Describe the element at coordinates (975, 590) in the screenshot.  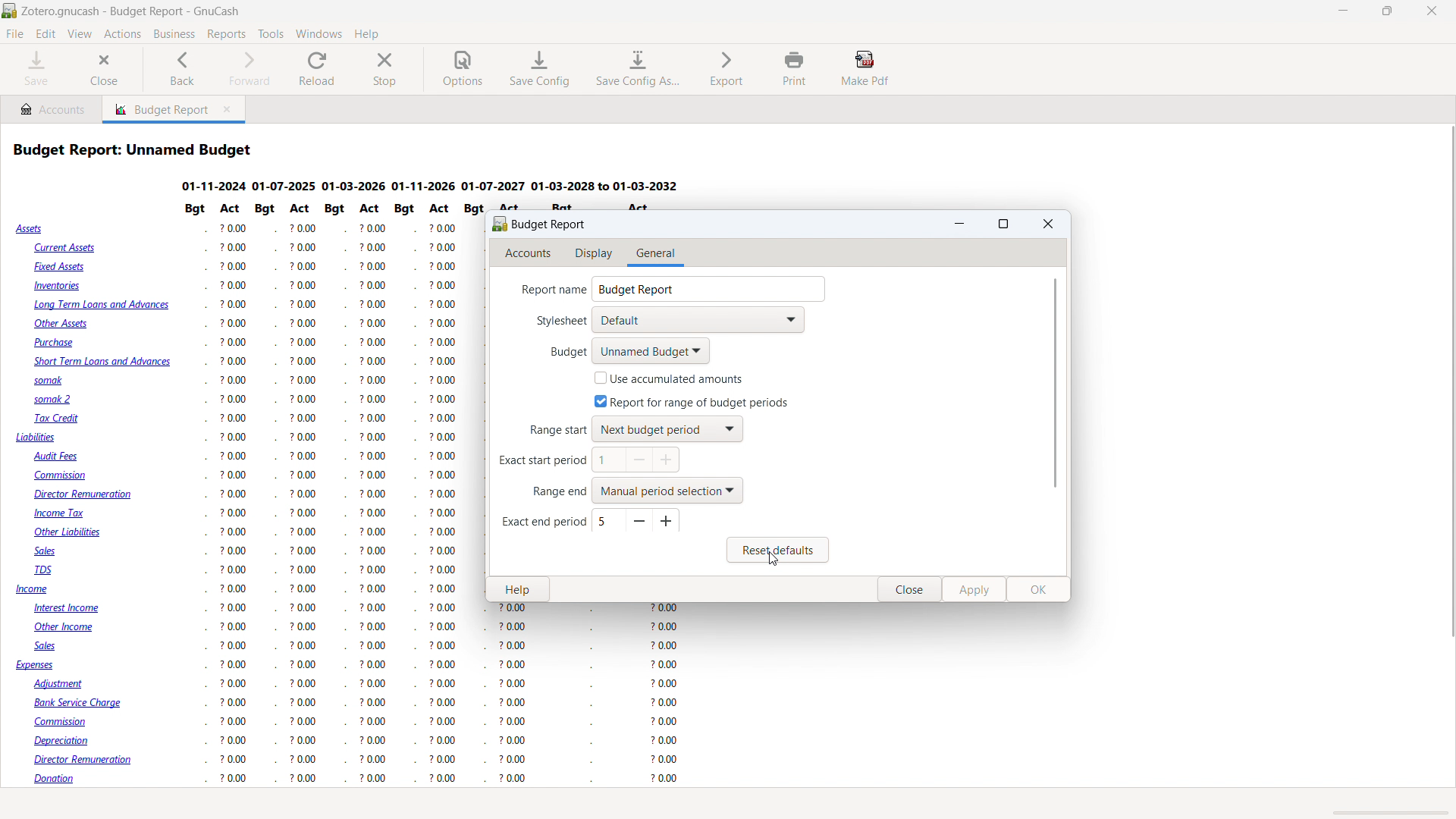
I see `apply` at that location.